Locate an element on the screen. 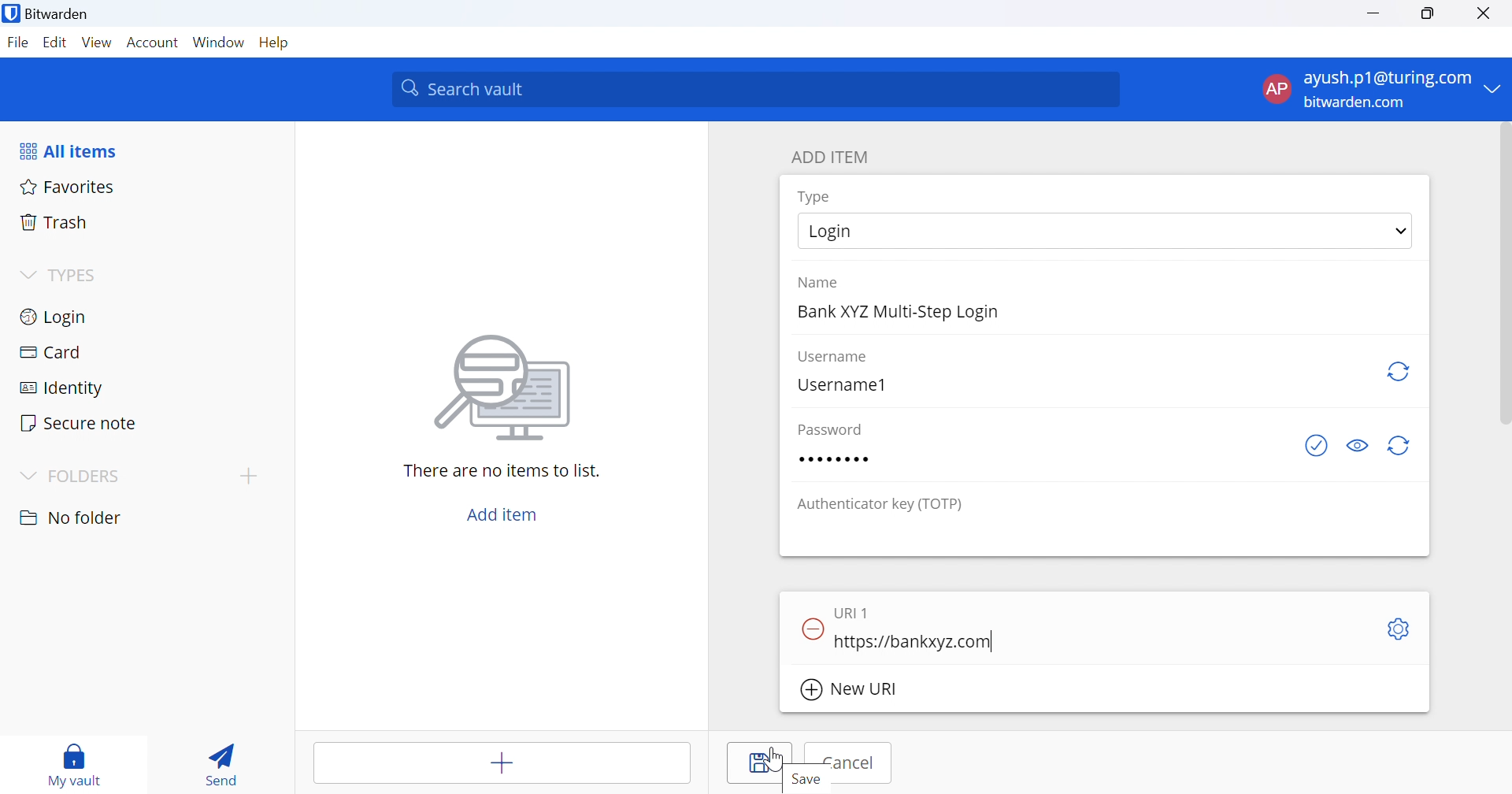 This screenshot has height=794, width=1512. Edit is located at coordinates (53, 43).